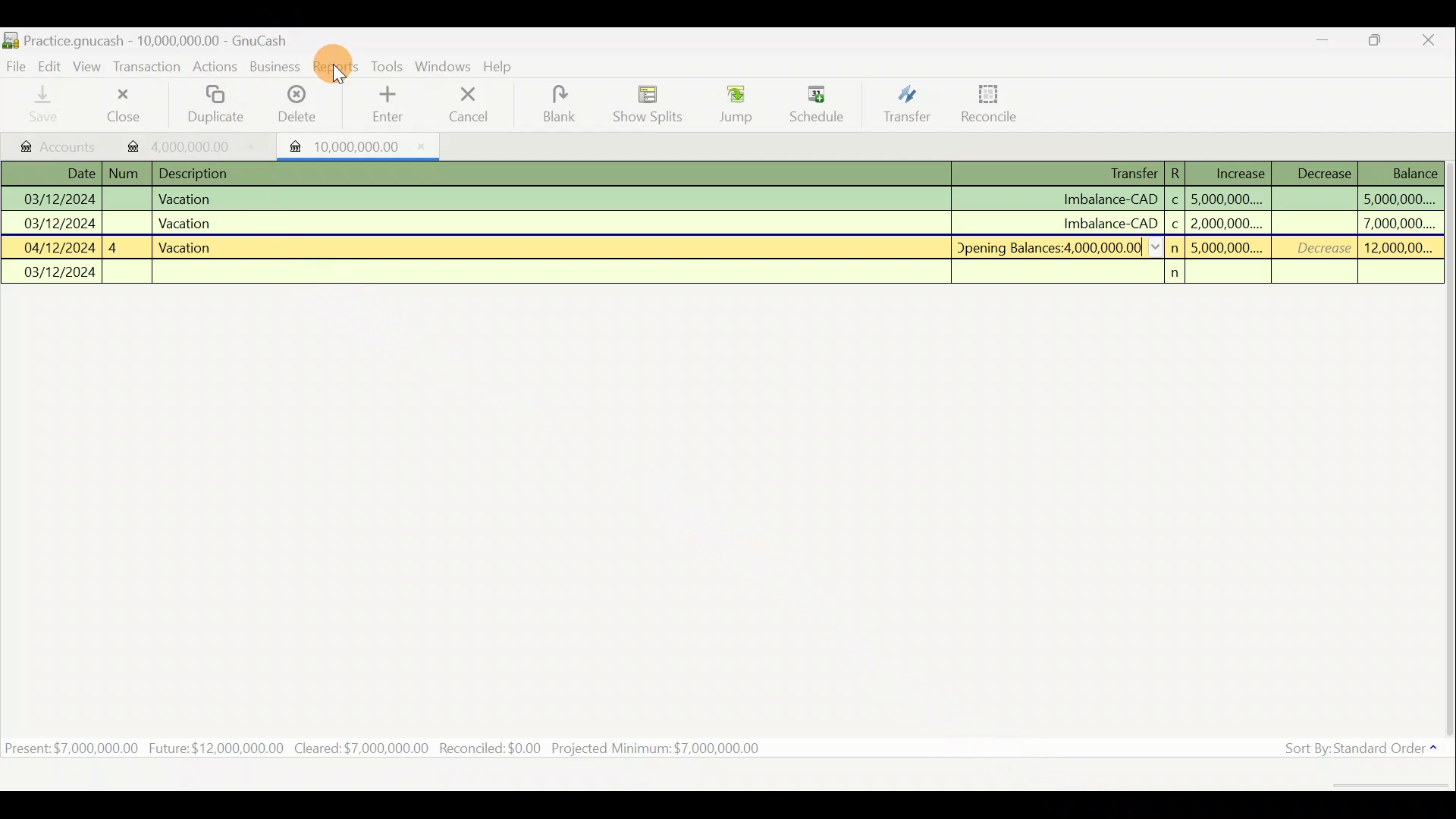  What do you see at coordinates (301, 103) in the screenshot?
I see `Delete` at bounding box center [301, 103].